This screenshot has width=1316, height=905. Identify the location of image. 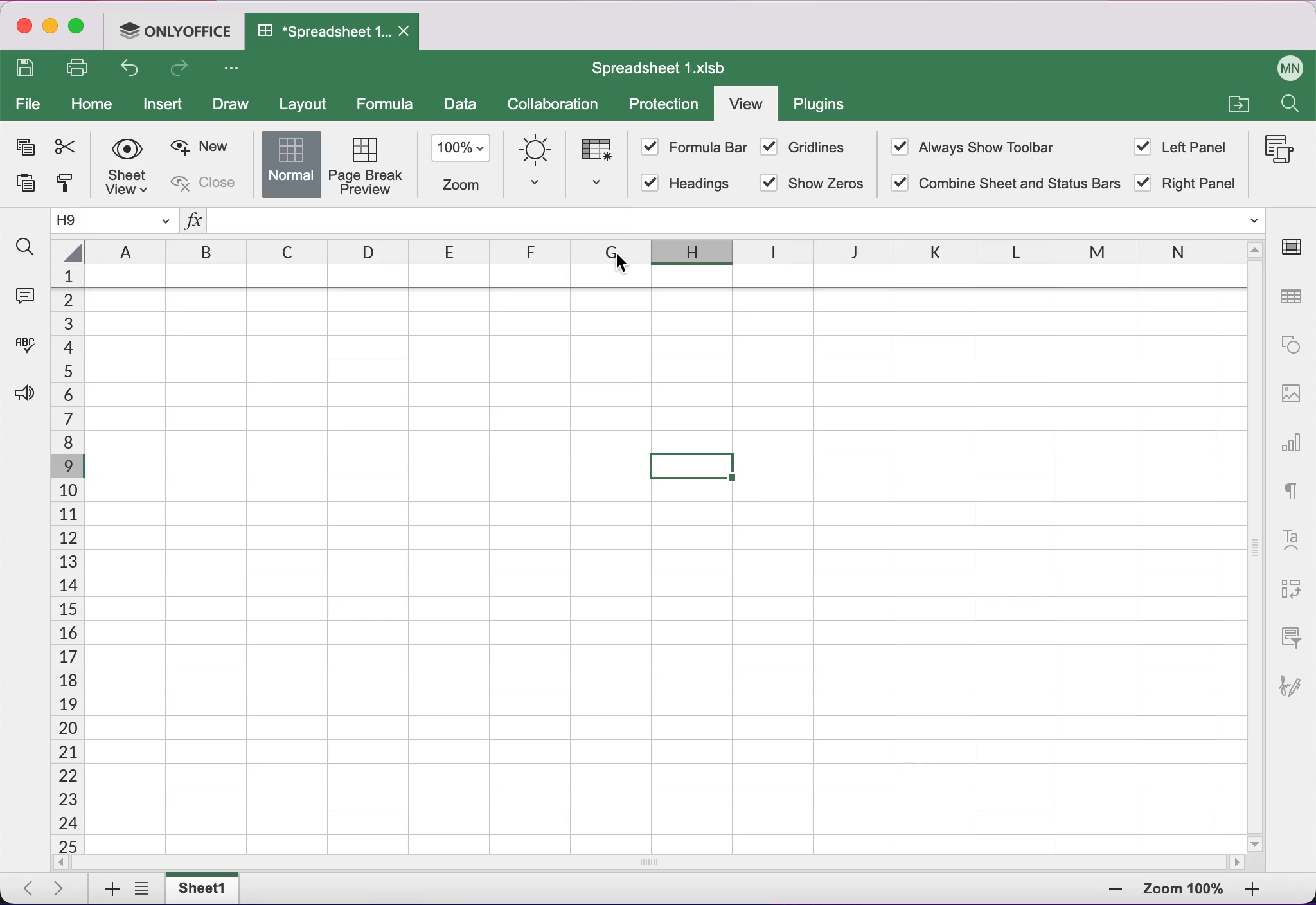
(1289, 400).